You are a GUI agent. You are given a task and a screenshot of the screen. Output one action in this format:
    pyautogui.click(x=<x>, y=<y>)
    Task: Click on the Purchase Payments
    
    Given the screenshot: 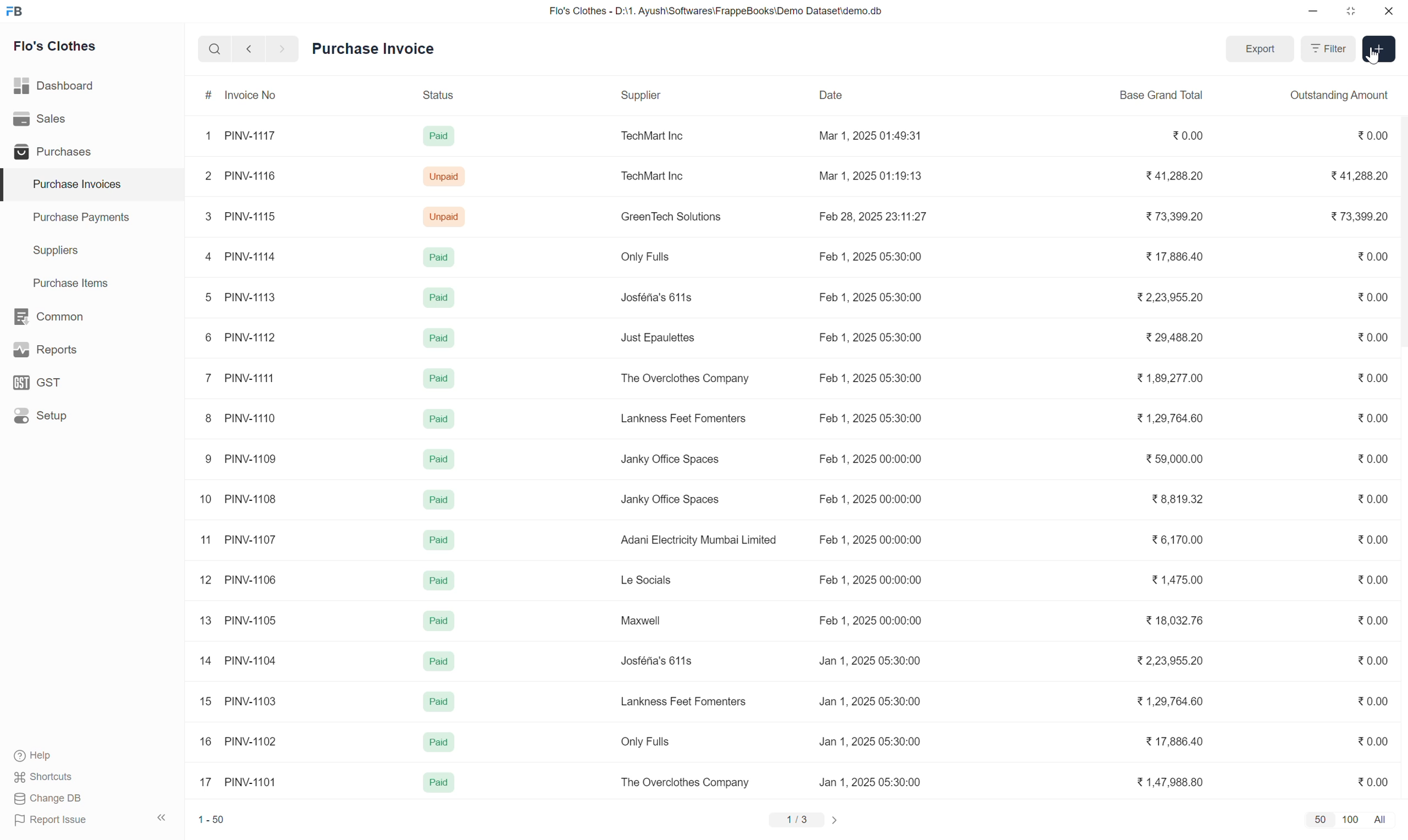 What is the action you would take?
    pyautogui.click(x=92, y=218)
    